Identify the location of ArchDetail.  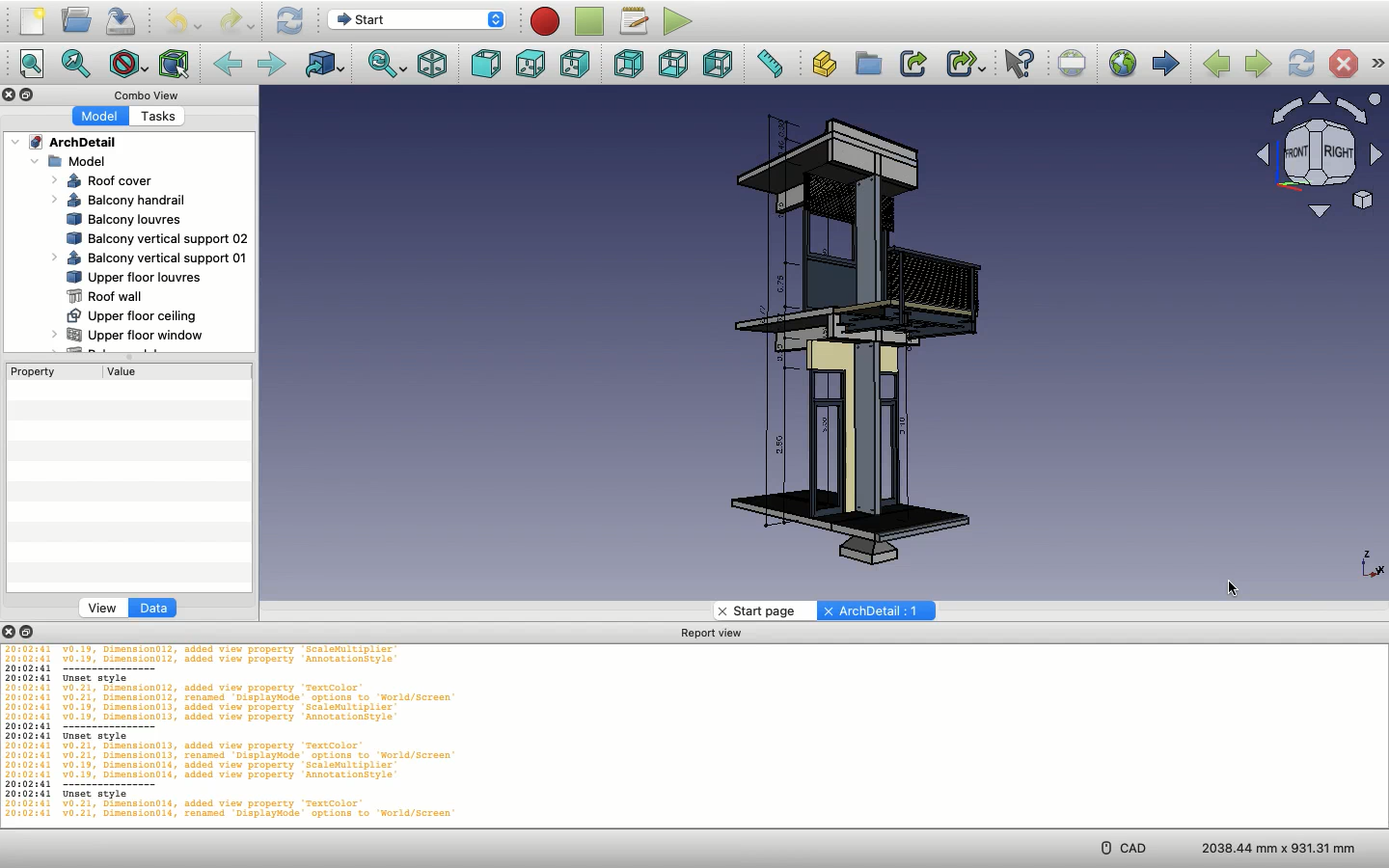
(62, 142).